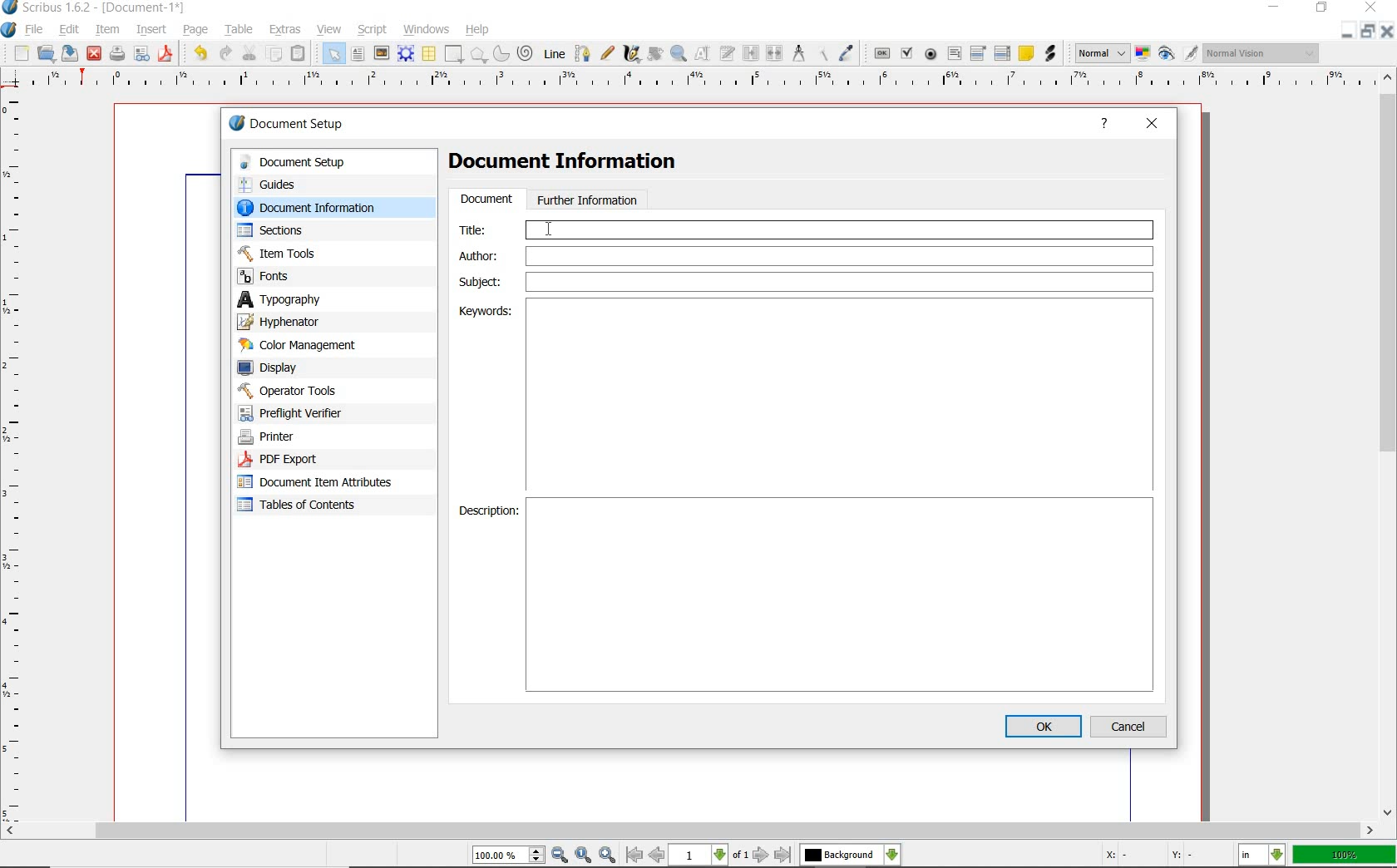 The image size is (1397, 868). I want to click on save as pdf, so click(165, 56).